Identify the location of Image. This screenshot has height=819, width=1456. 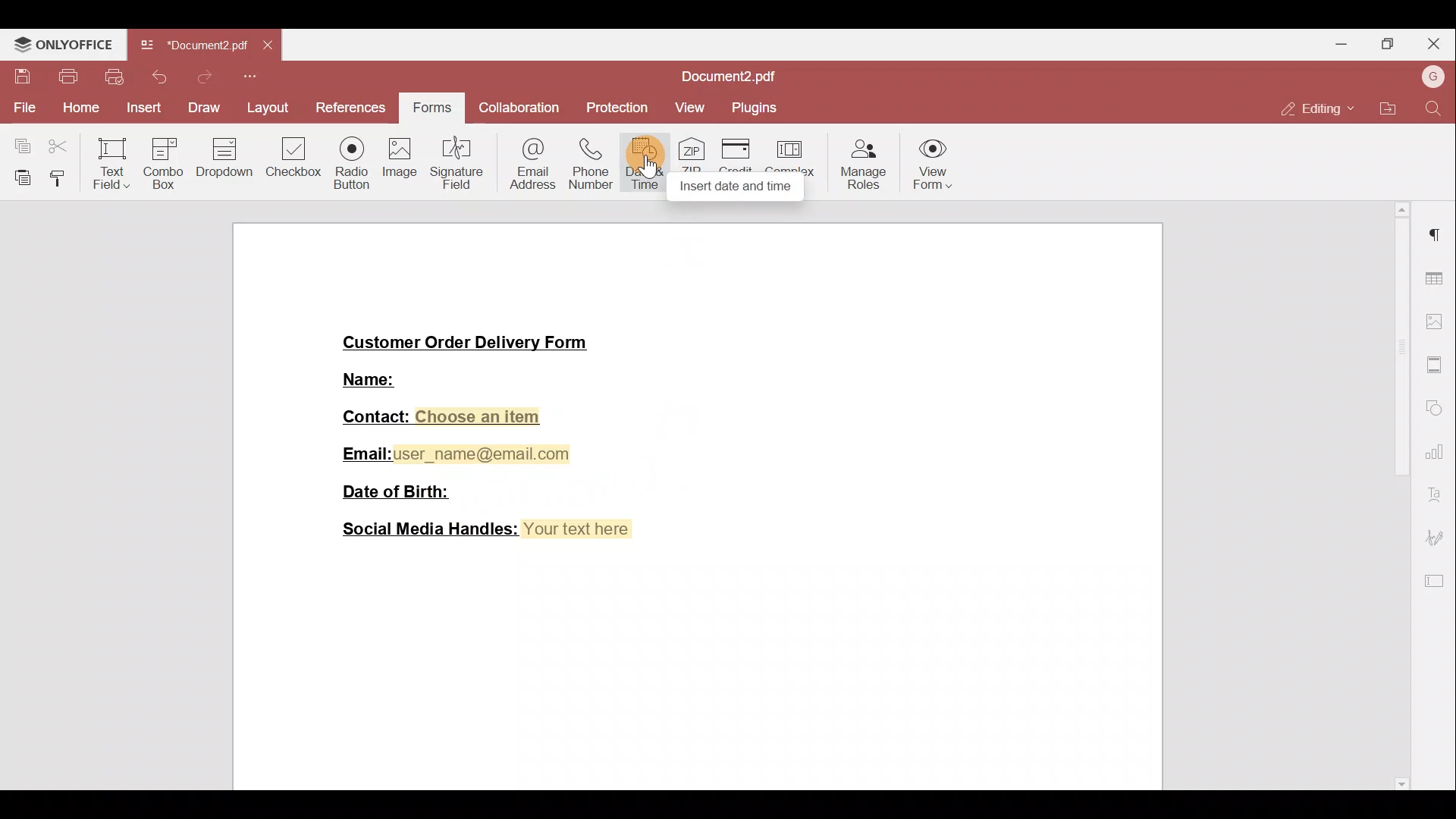
(400, 163).